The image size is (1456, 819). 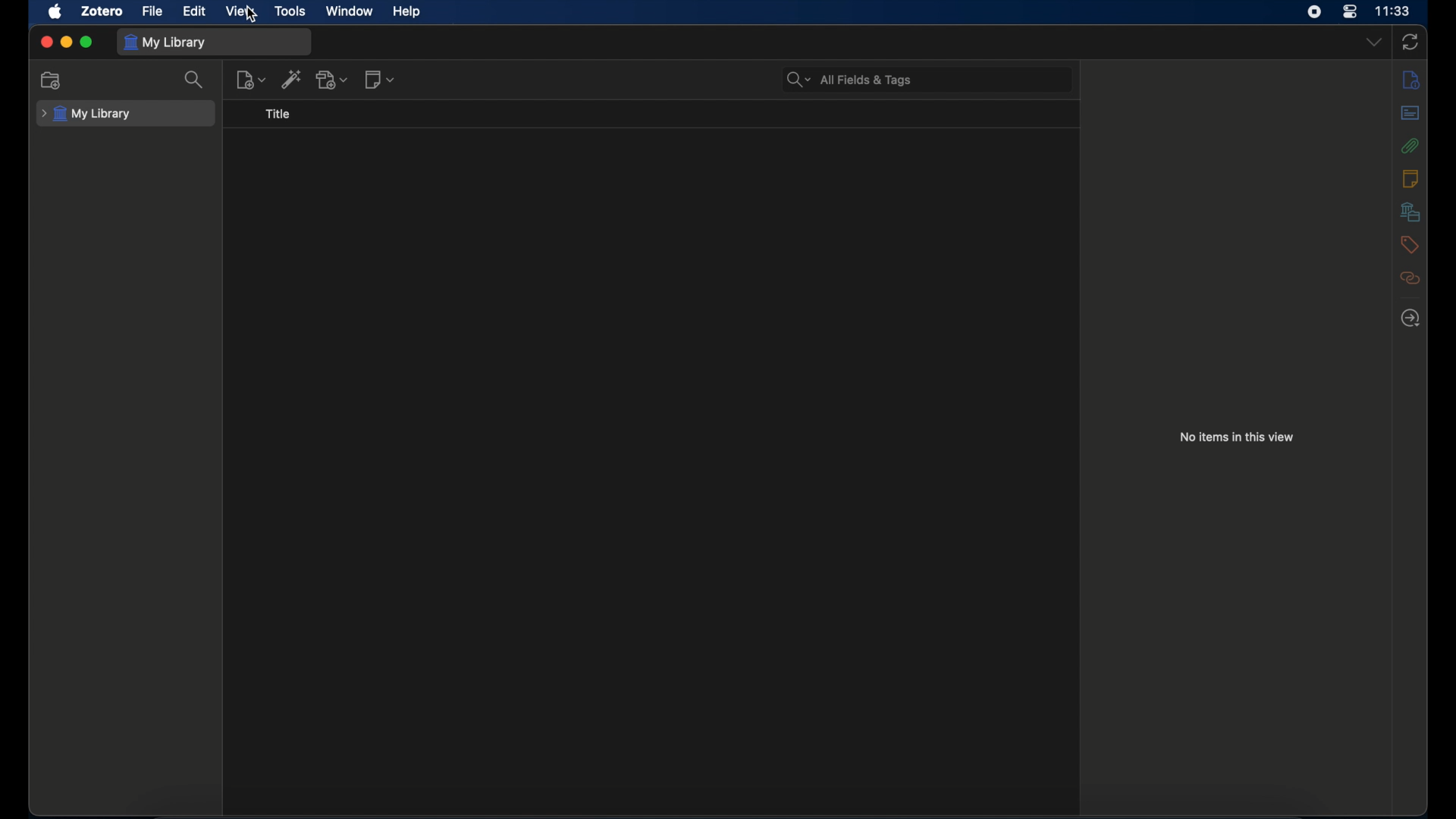 What do you see at coordinates (331, 80) in the screenshot?
I see `add attachments` at bounding box center [331, 80].